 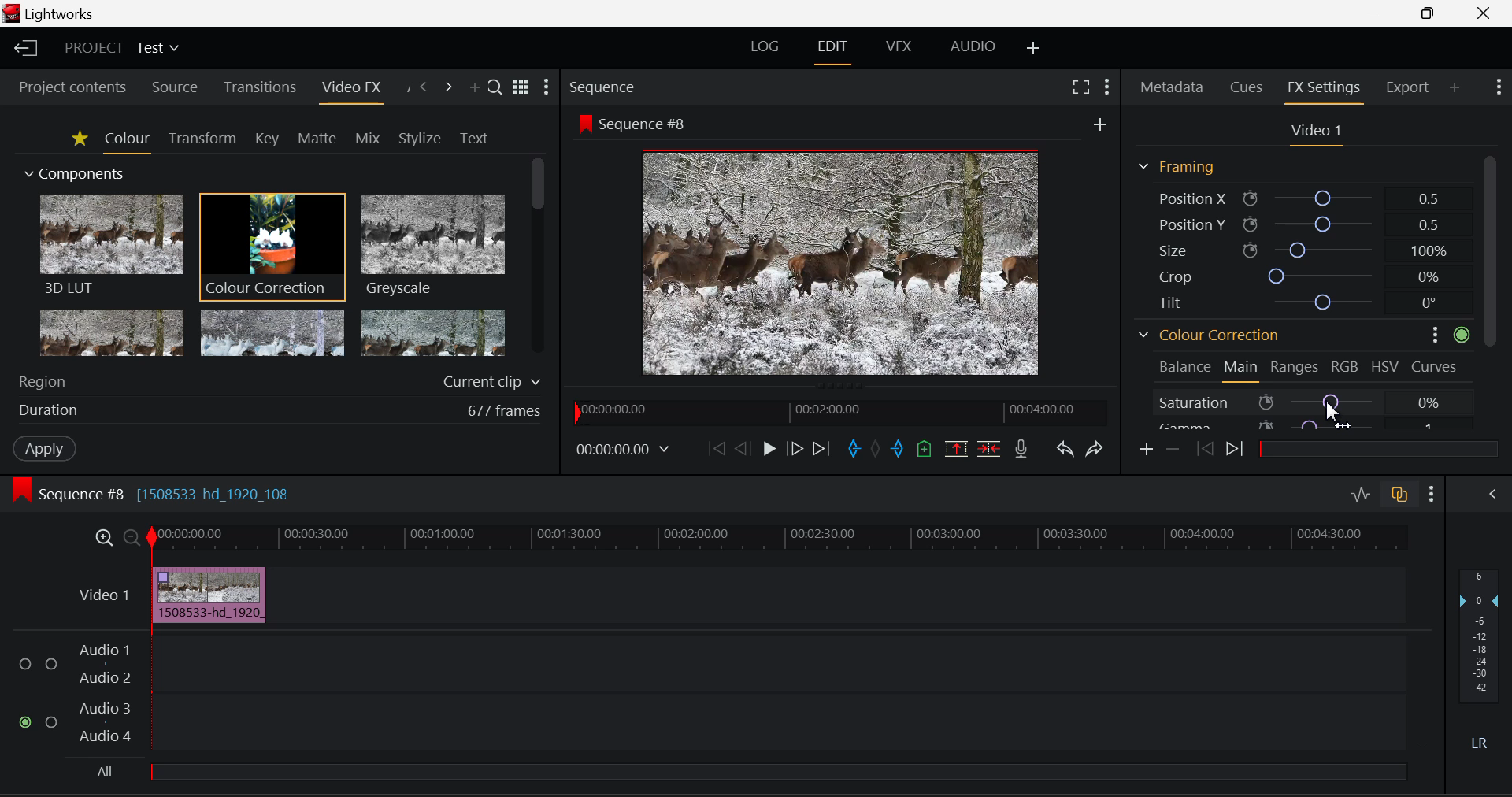 I want to click on Colour Correction, so click(x=1210, y=334).